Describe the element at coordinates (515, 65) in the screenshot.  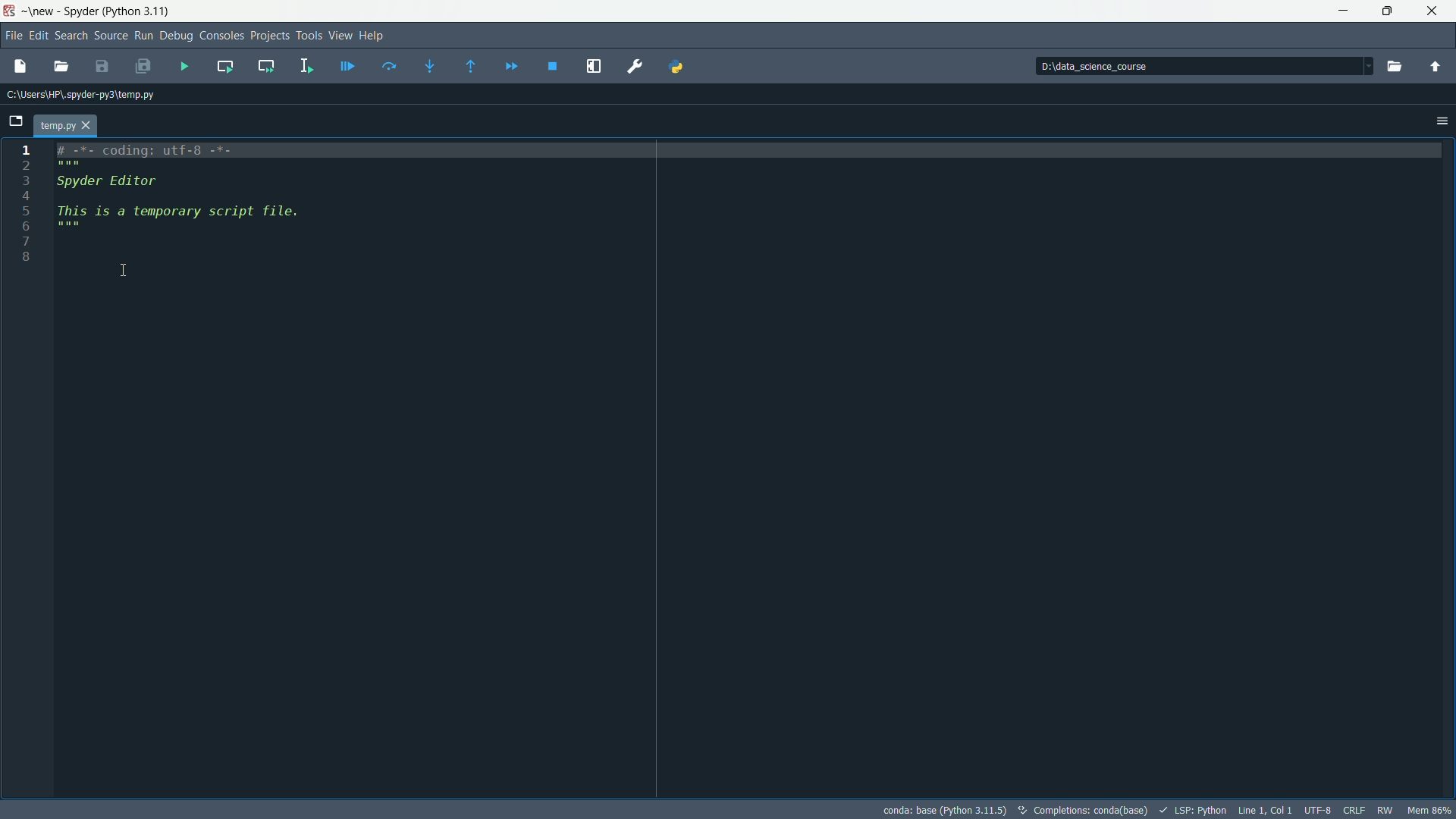
I see `continue execution until next breakpoint` at that location.